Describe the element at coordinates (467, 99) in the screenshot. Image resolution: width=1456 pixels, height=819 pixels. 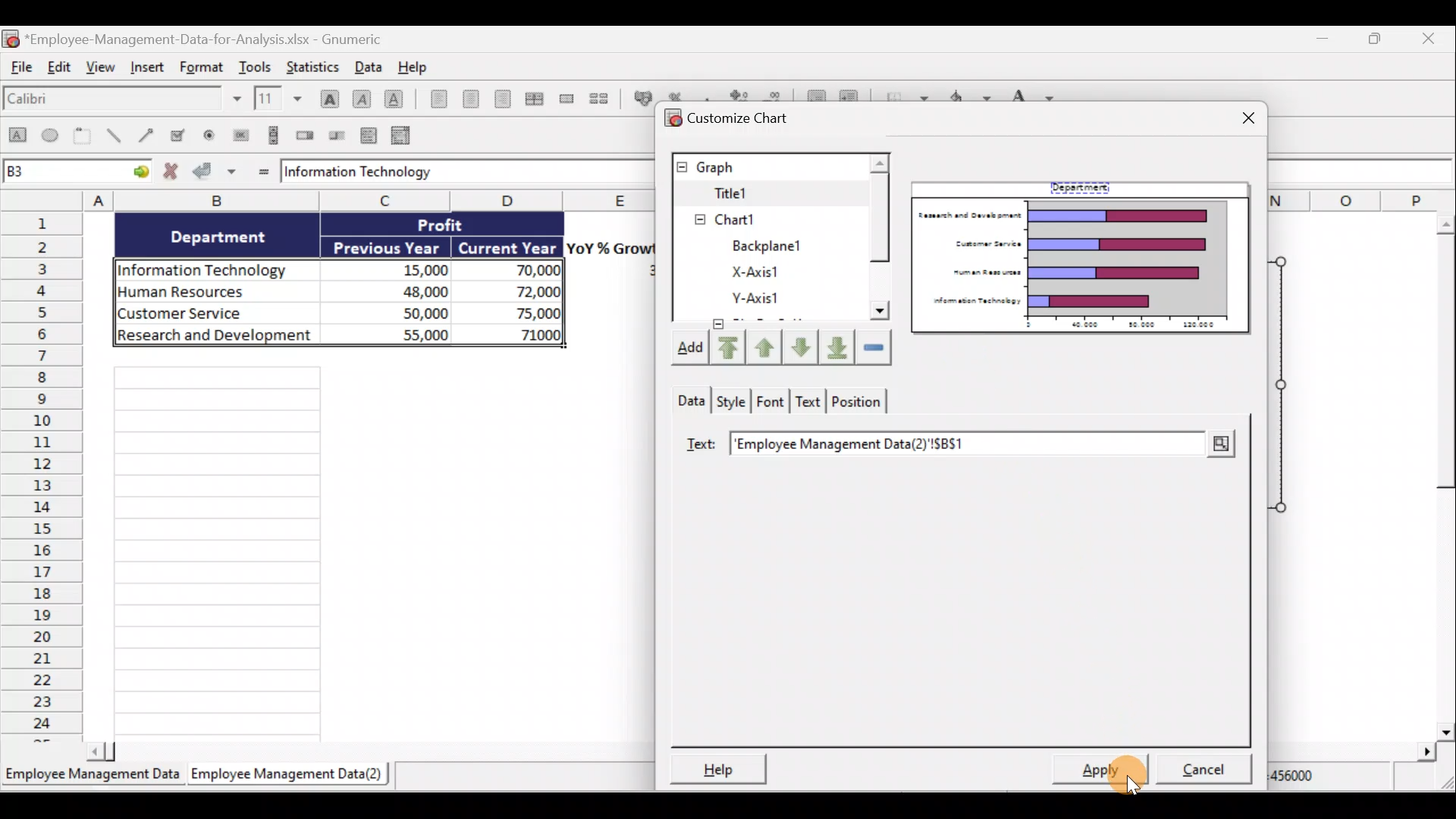
I see `Centre horizontally` at that location.